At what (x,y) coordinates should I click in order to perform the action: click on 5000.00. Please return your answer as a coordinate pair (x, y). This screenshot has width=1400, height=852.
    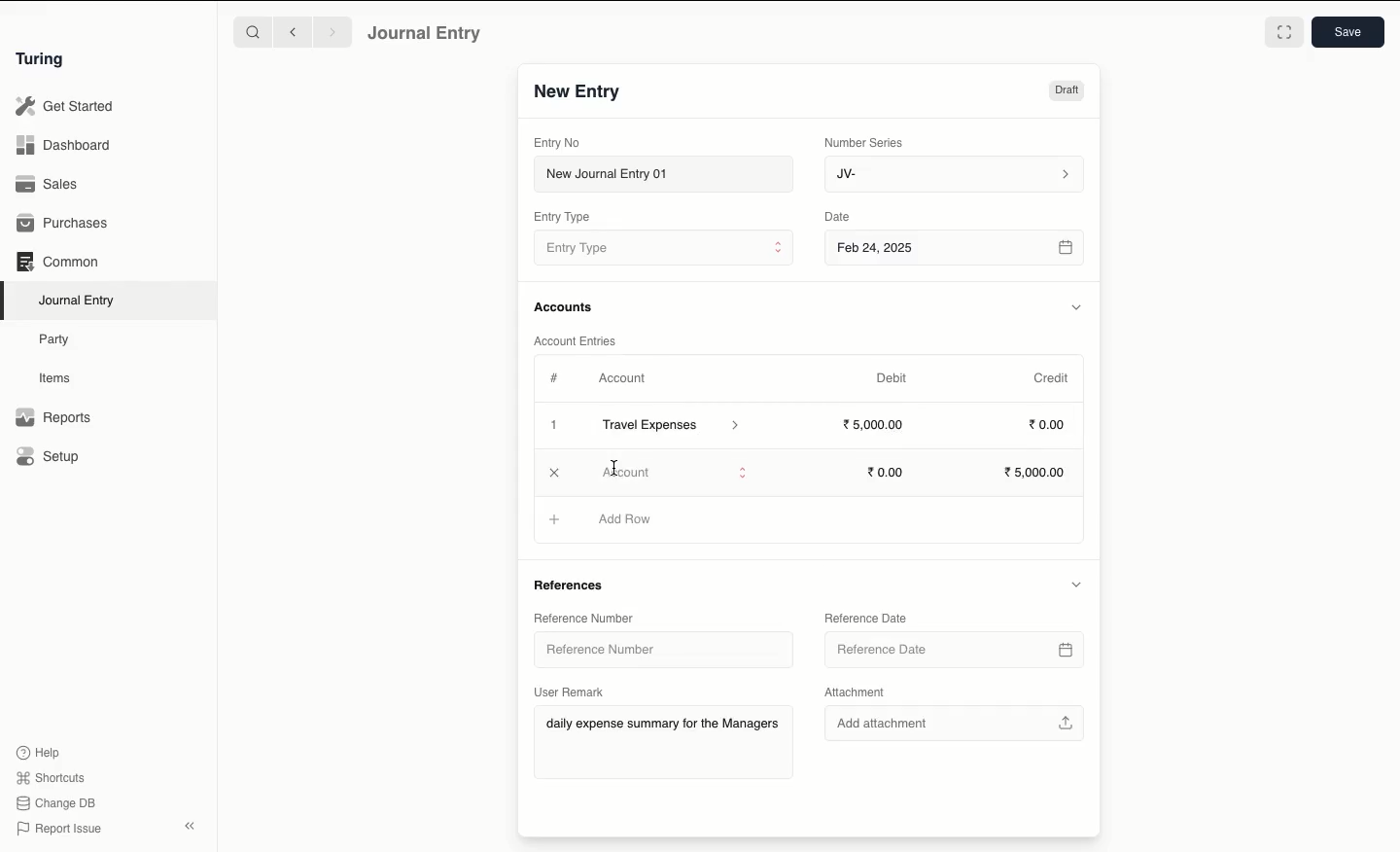
    Looking at the image, I should click on (875, 423).